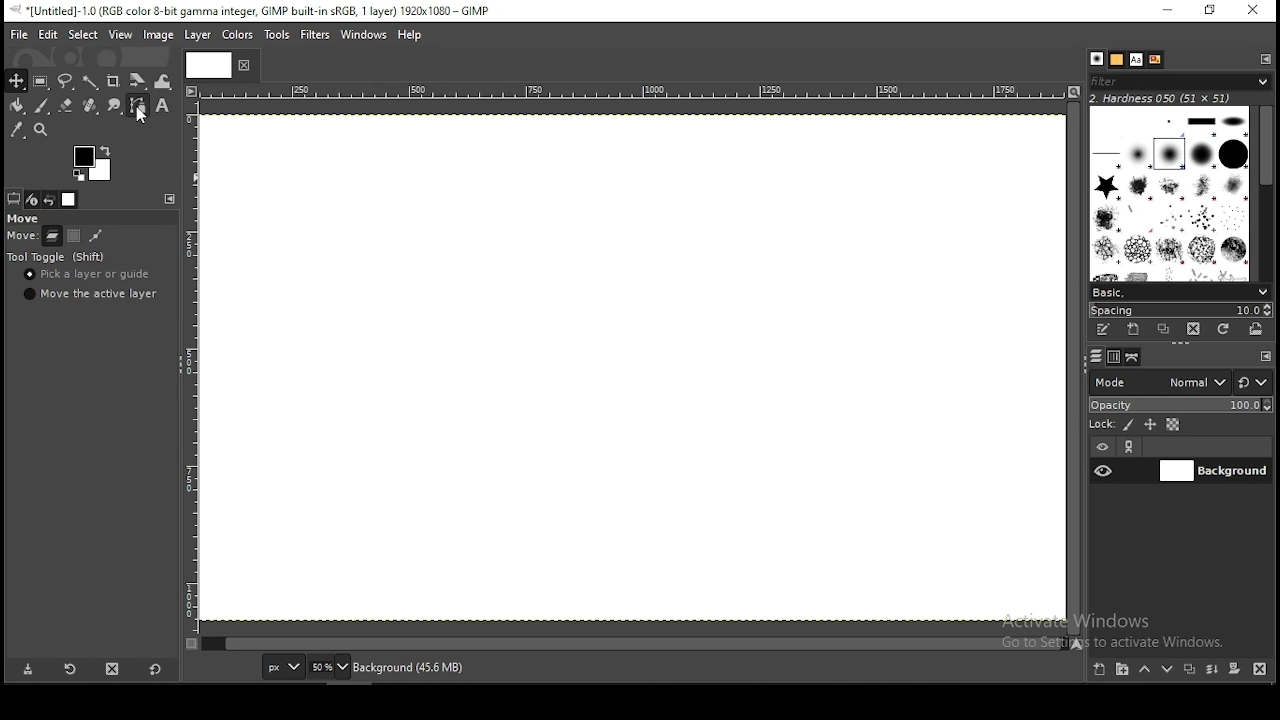 The image size is (1280, 720). What do you see at coordinates (31, 217) in the screenshot?
I see `move` at bounding box center [31, 217].